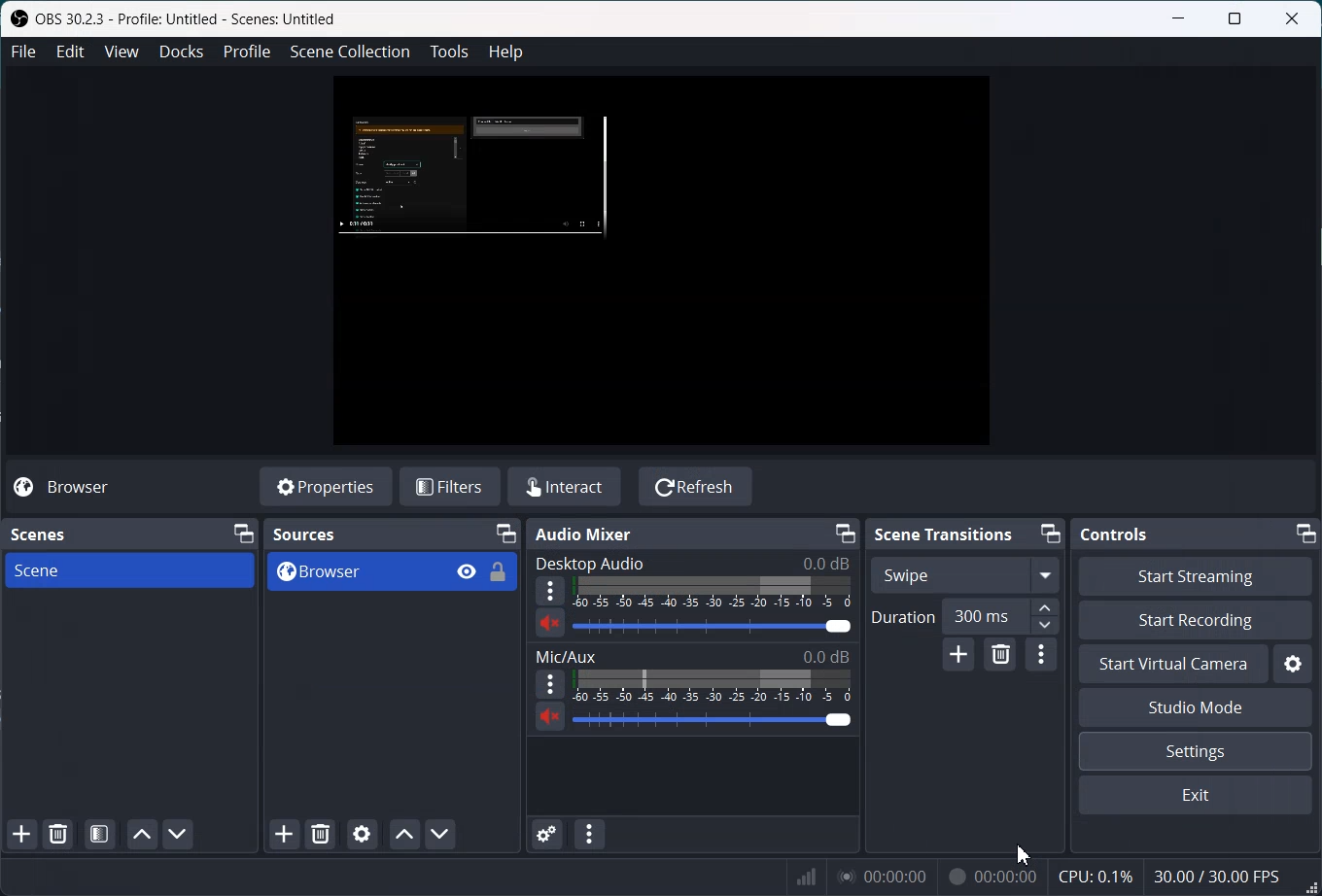  What do you see at coordinates (354, 571) in the screenshot?
I see `Browser` at bounding box center [354, 571].